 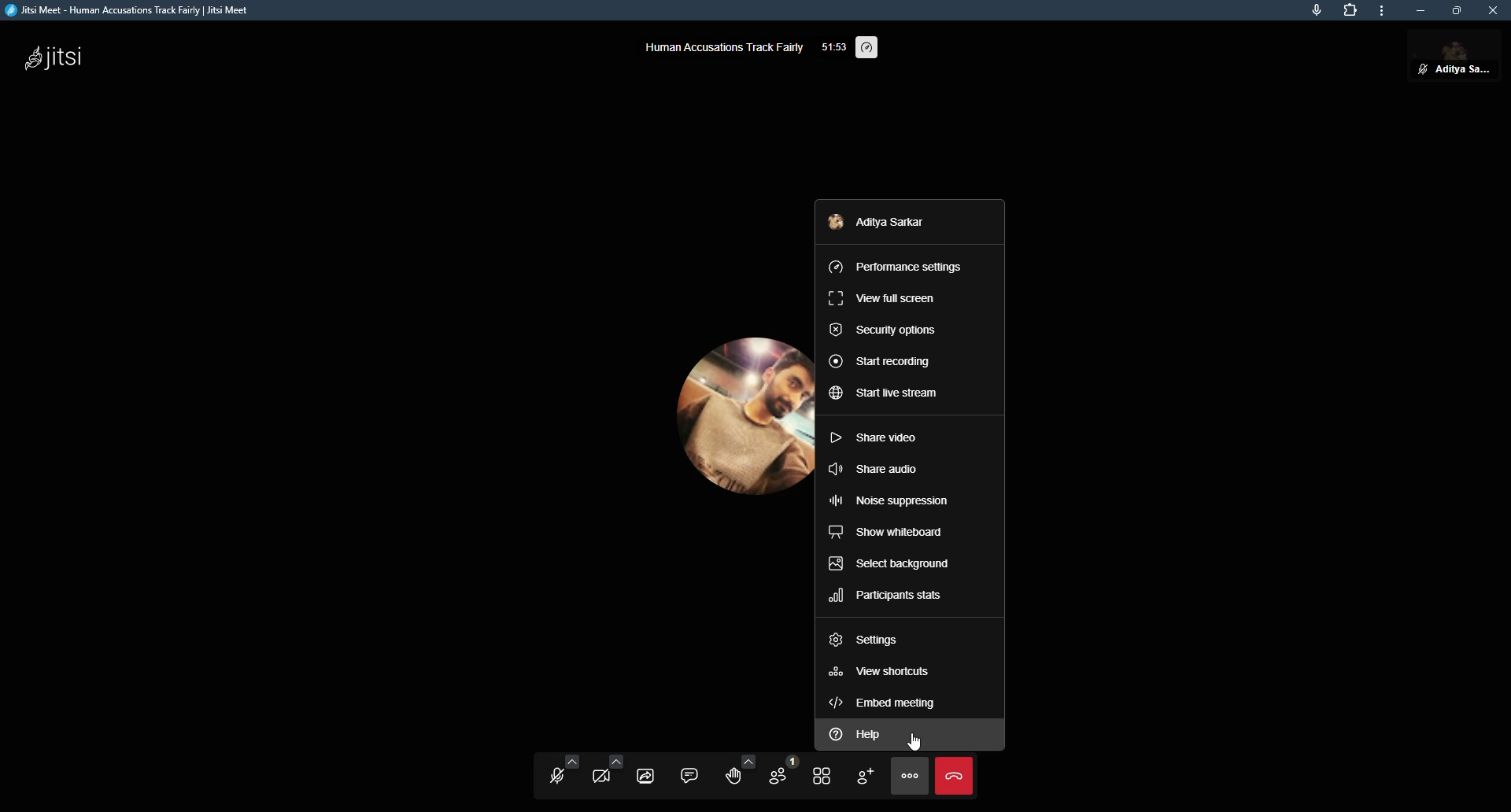 I want to click on more actions, so click(x=909, y=777).